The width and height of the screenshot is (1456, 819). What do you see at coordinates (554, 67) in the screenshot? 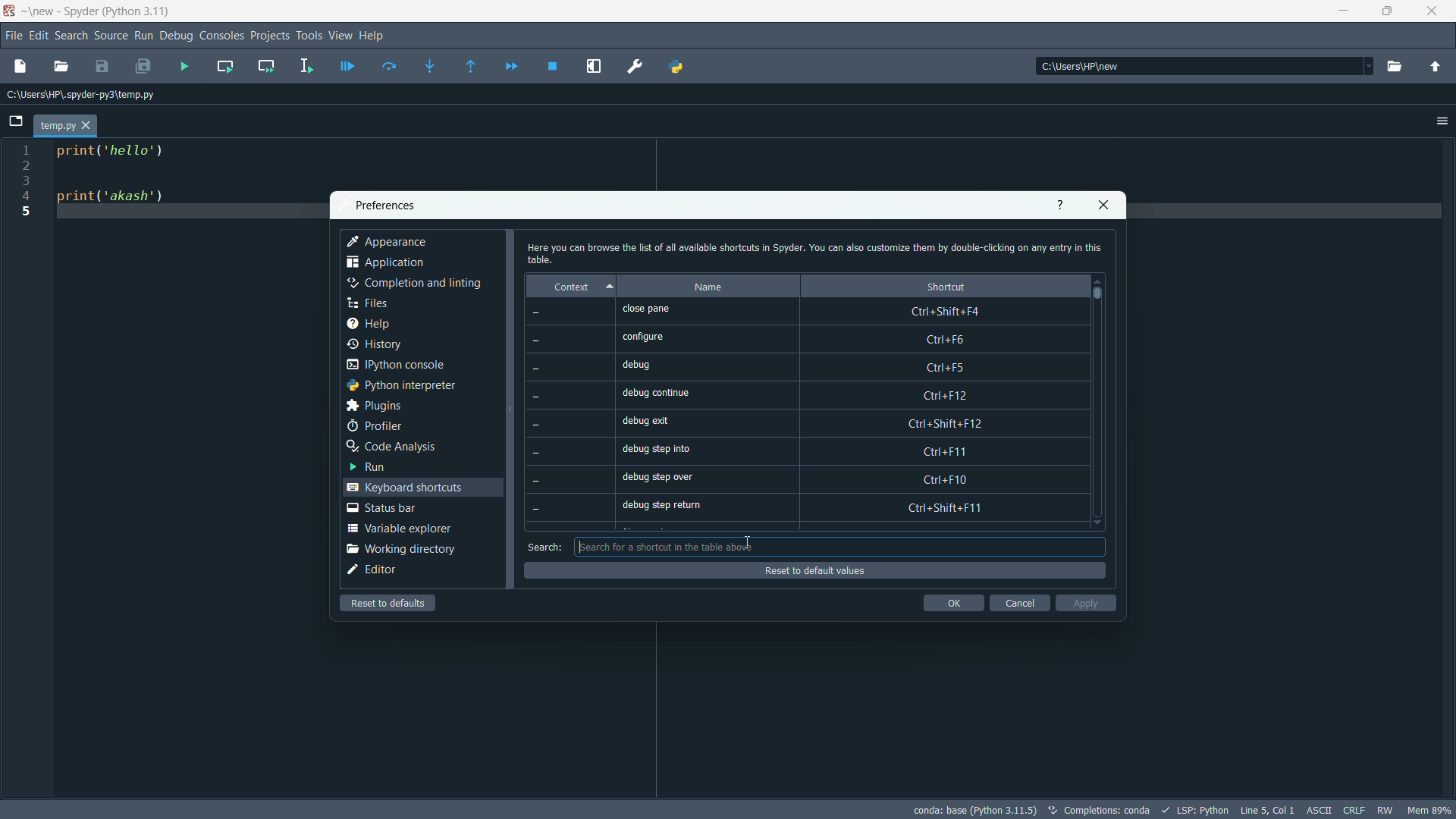
I see `stop debugging` at bounding box center [554, 67].